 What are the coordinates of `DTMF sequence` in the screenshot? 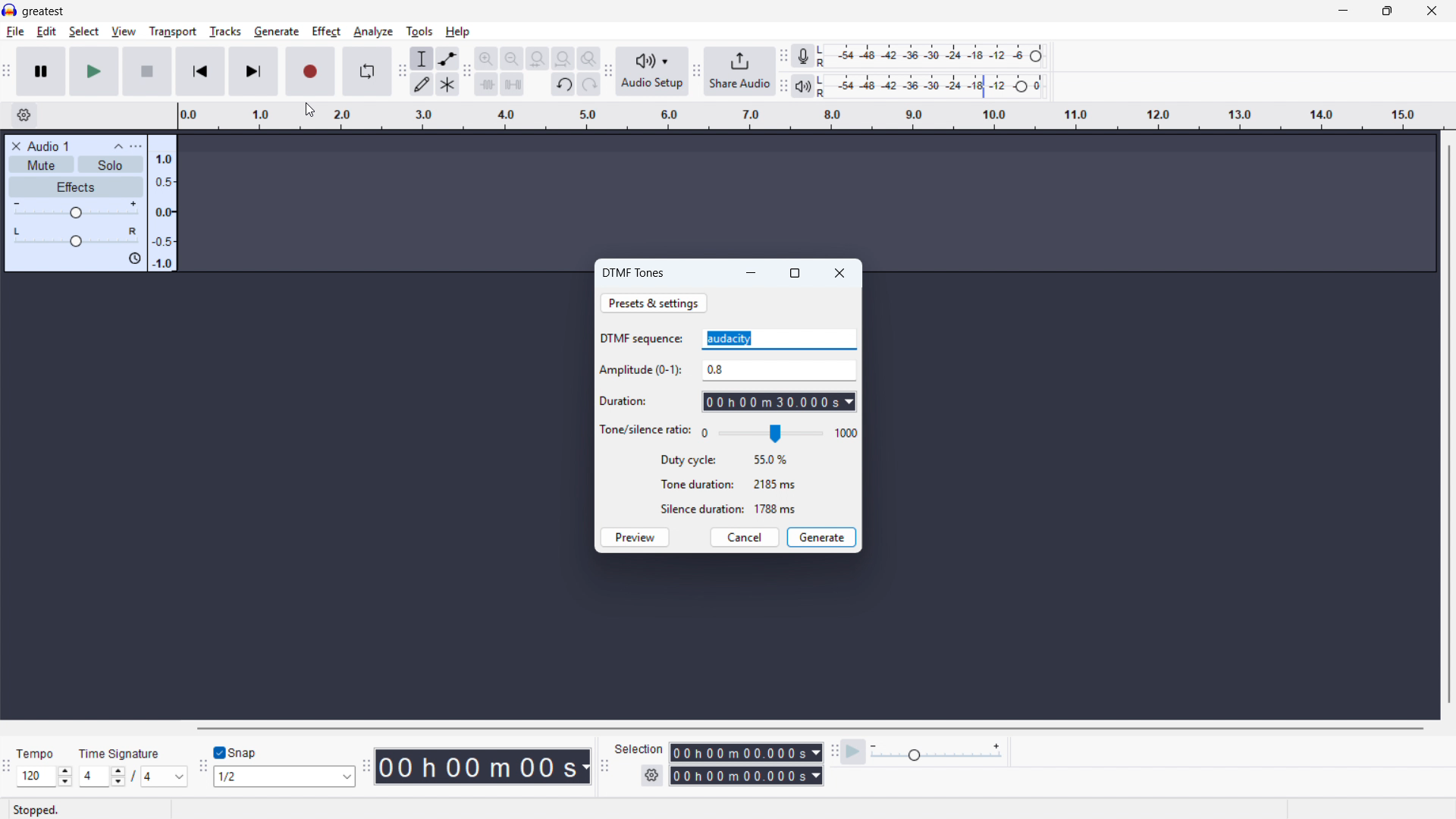 It's located at (643, 339).